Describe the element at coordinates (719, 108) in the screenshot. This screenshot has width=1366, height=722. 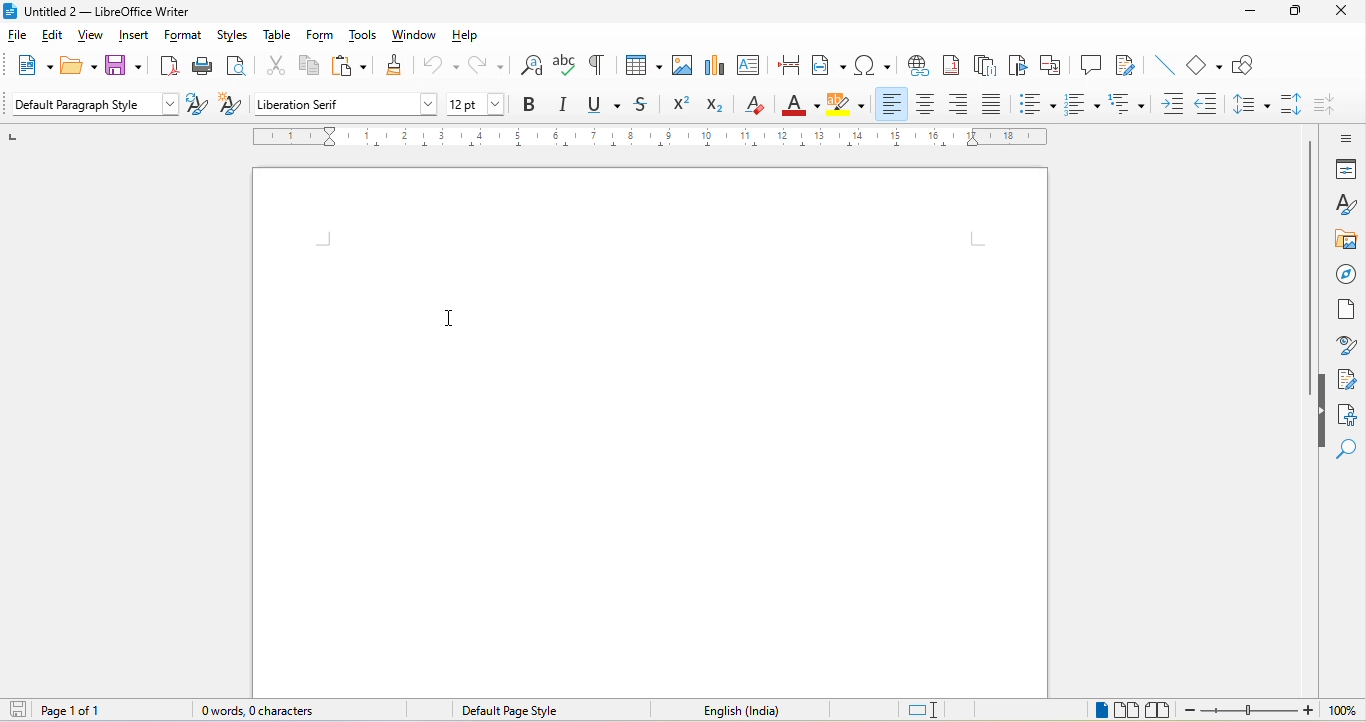
I see `subscript` at that location.